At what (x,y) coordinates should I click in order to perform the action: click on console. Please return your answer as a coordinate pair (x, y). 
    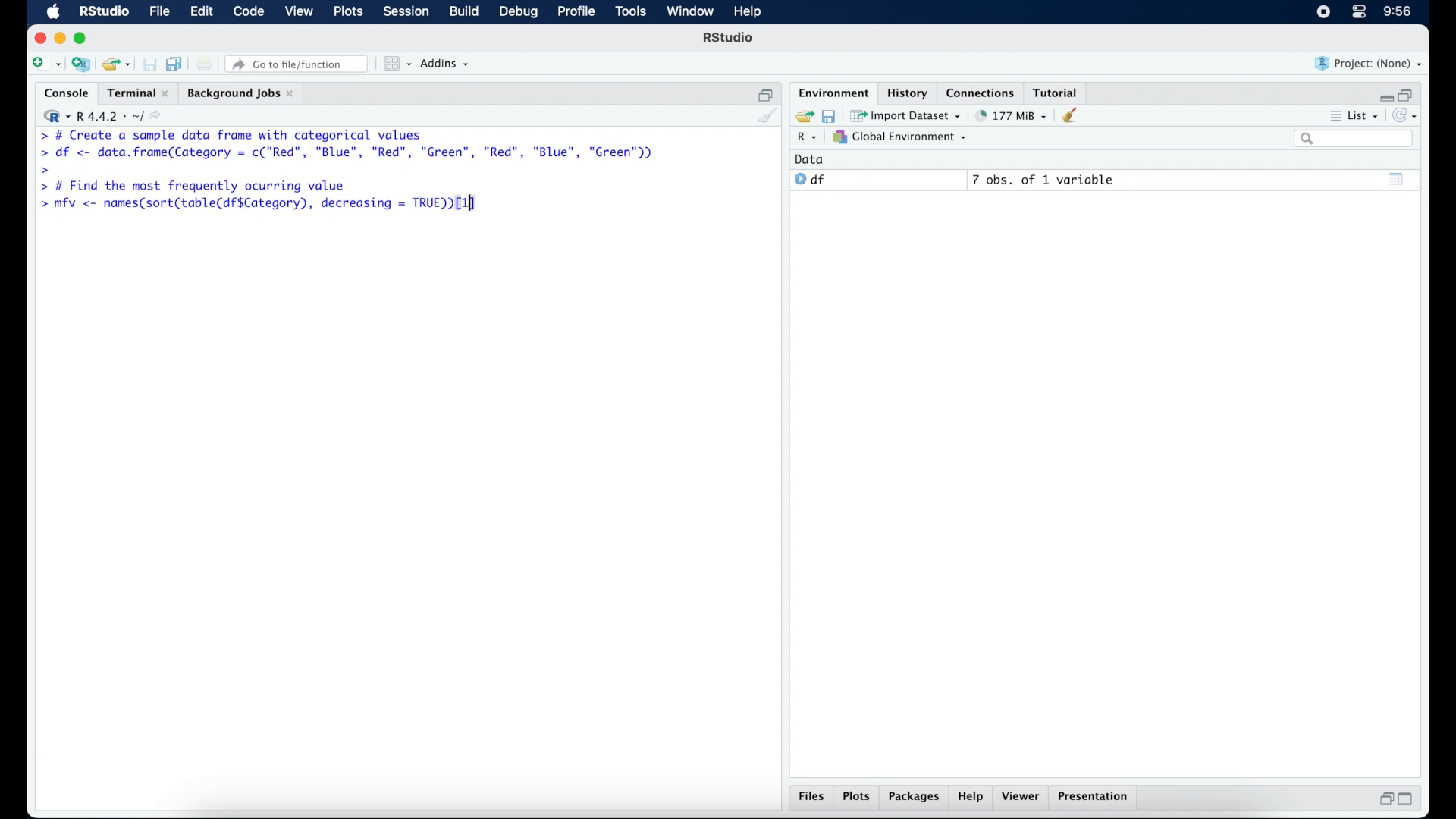
    Looking at the image, I should click on (63, 92).